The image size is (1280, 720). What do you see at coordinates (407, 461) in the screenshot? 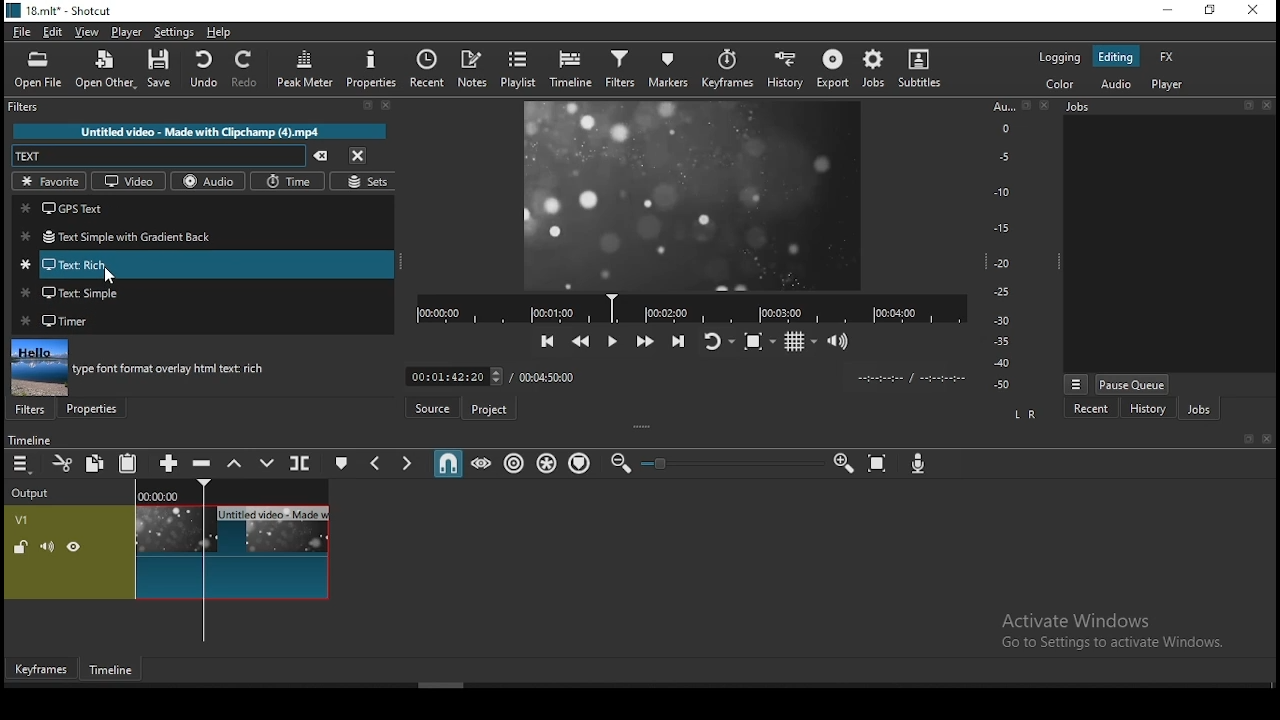
I see `next marker` at bounding box center [407, 461].